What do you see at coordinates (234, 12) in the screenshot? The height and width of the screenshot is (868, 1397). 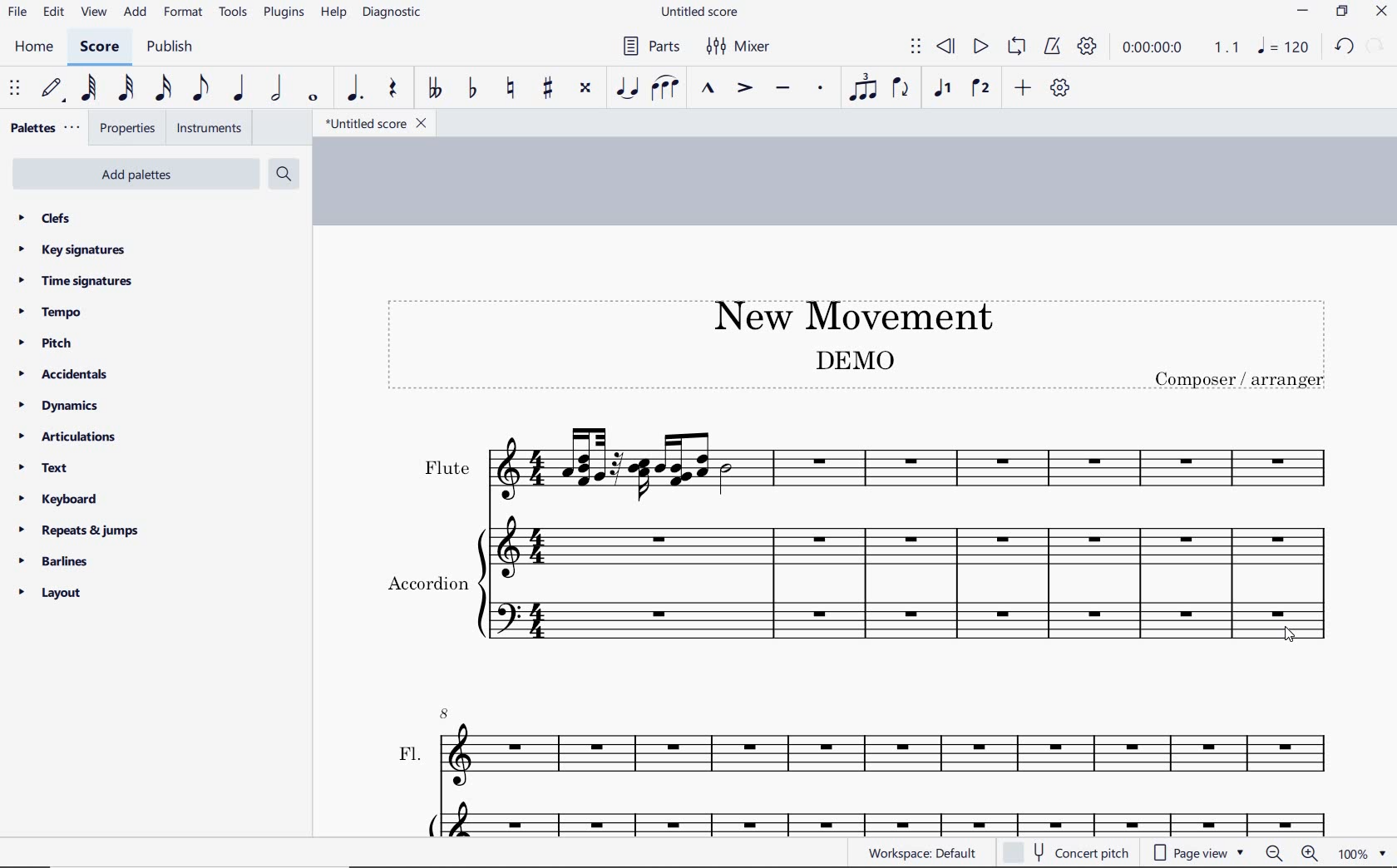 I see `tools` at bounding box center [234, 12].